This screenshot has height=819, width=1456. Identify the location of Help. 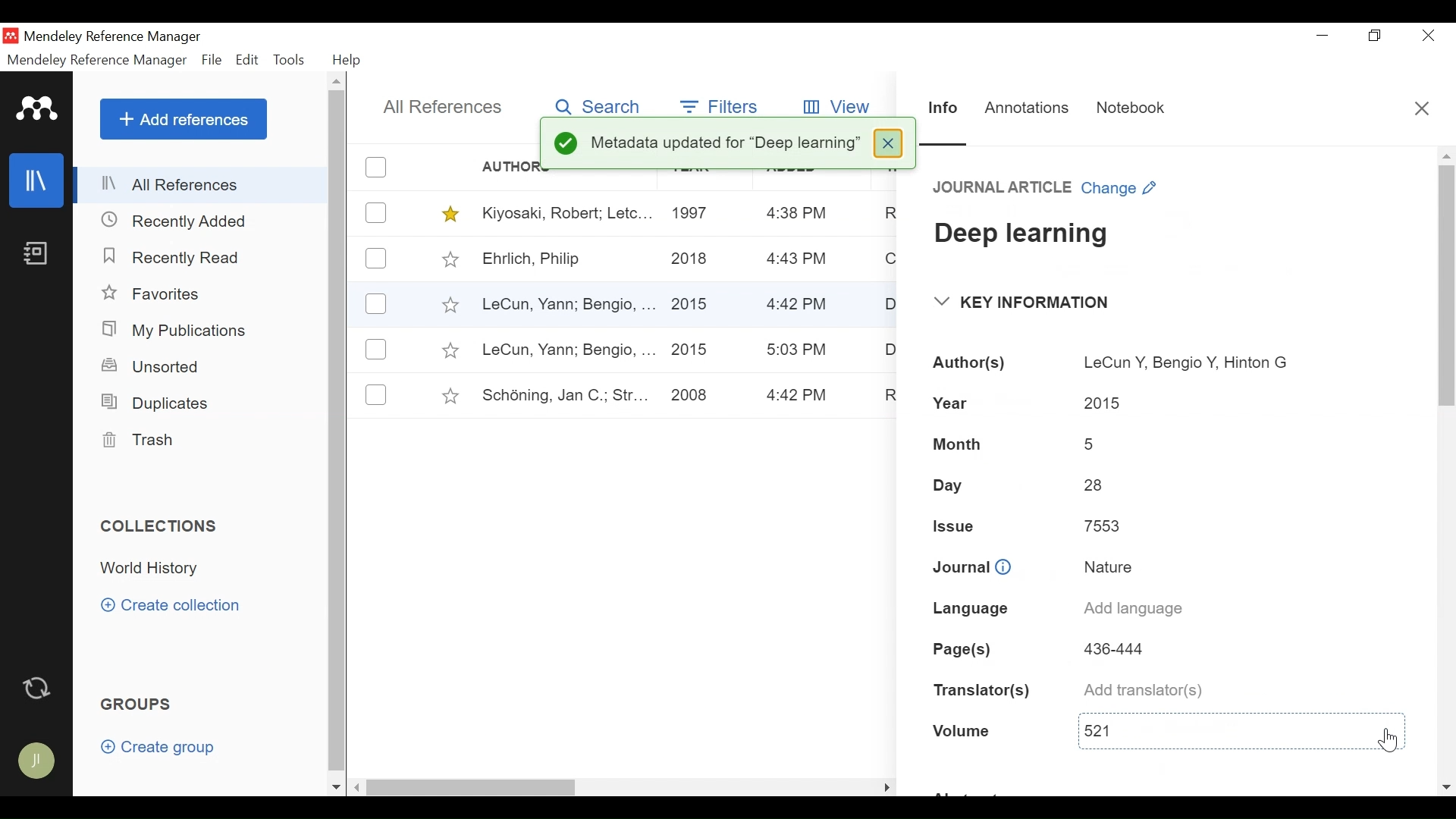
(348, 60).